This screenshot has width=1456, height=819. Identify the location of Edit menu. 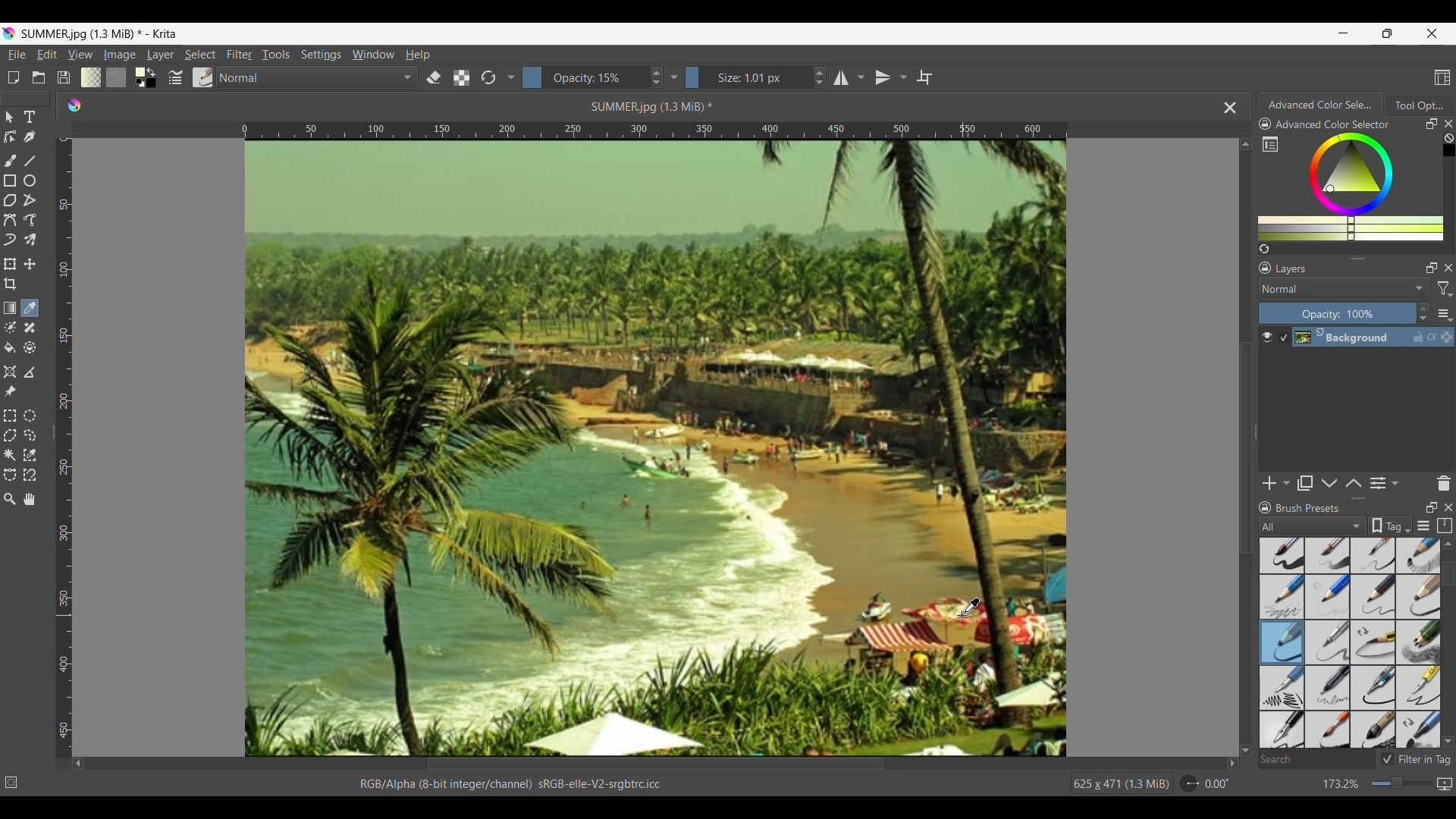
(45, 54).